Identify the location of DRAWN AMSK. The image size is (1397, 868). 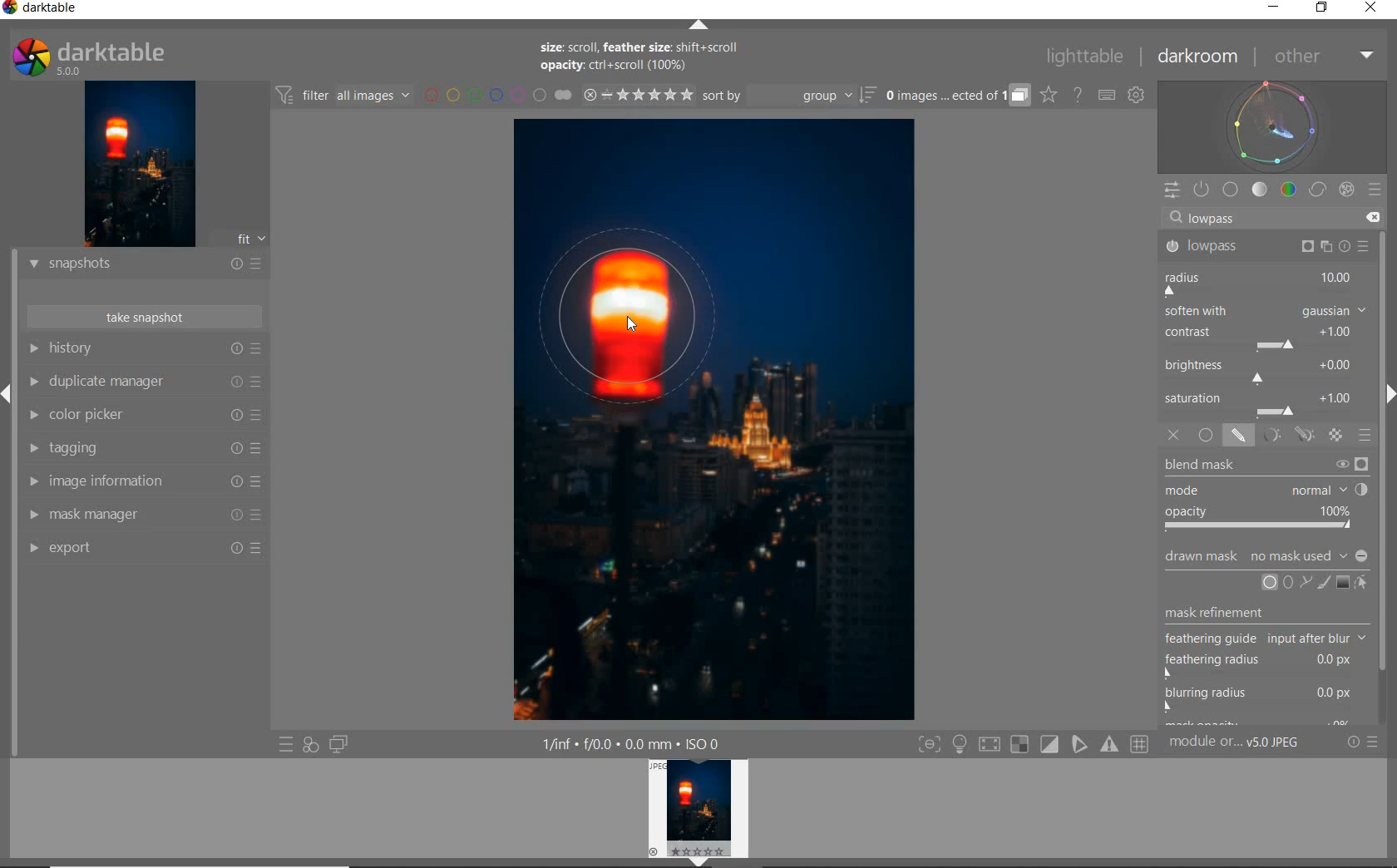
(1265, 554).